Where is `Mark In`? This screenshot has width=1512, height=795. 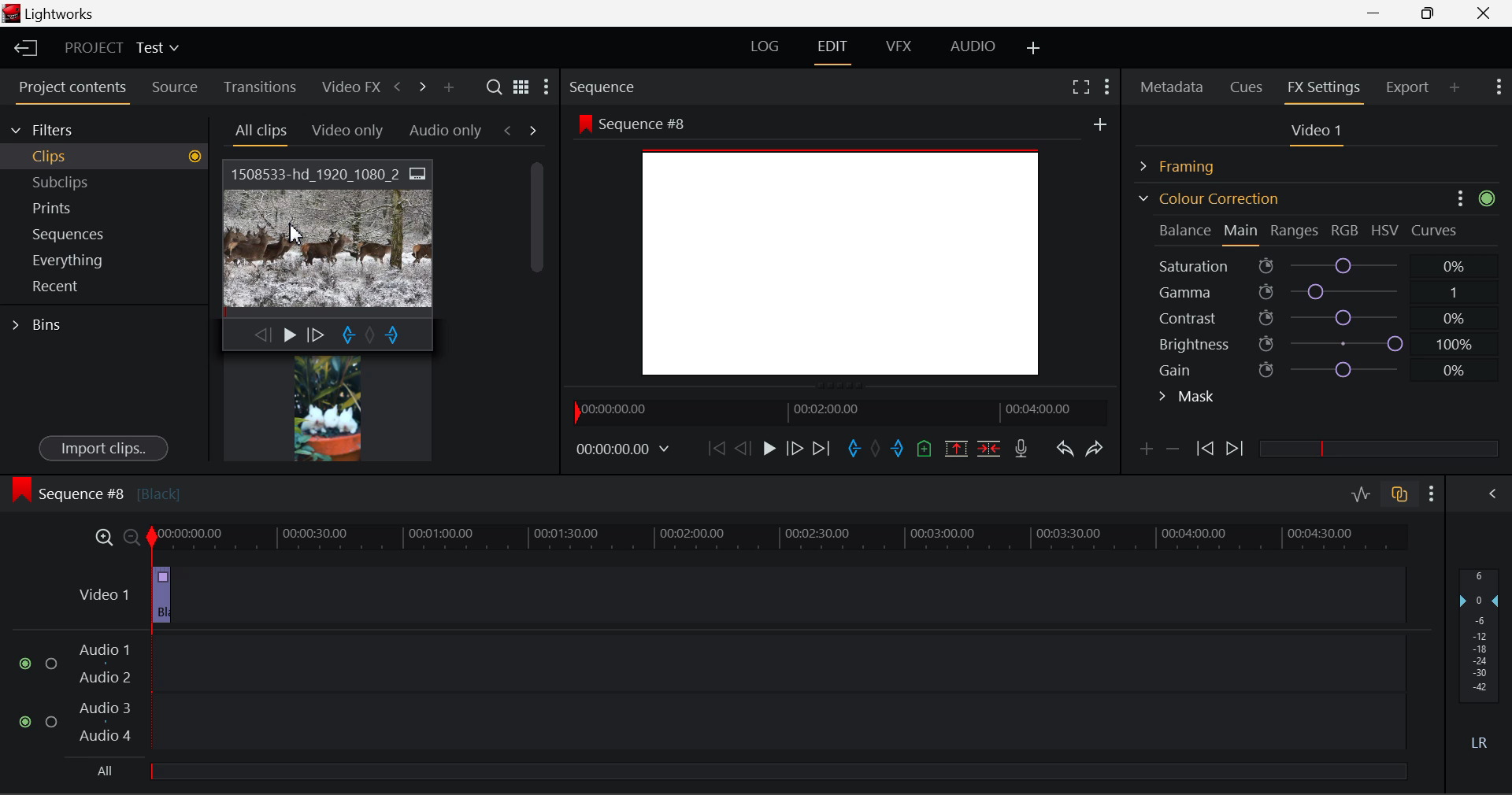 Mark In is located at coordinates (855, 449).